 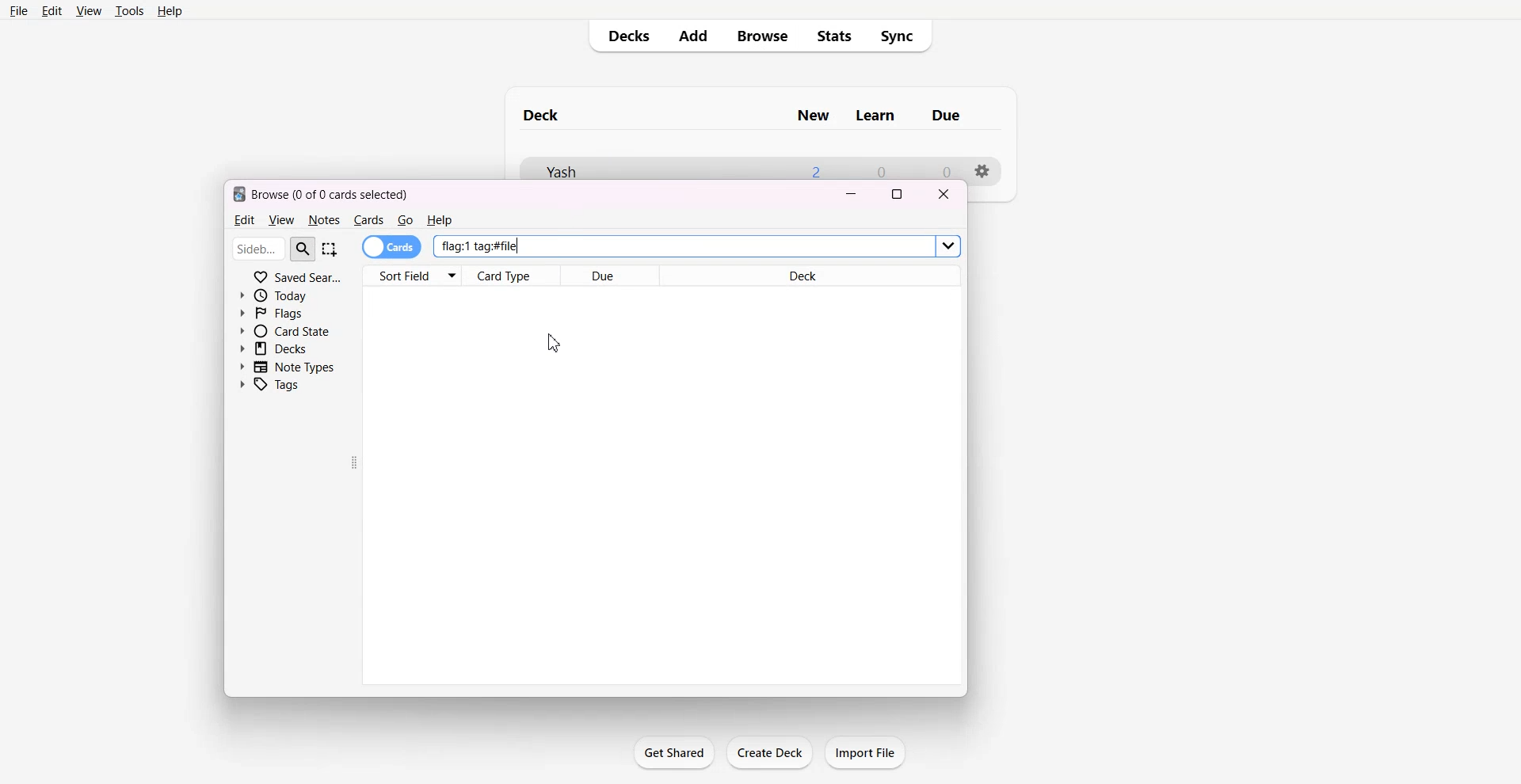 What do you see at coordinates (357, 464) in the screenshot?
I see `Drag Handle` at bounding box center [357, 464].